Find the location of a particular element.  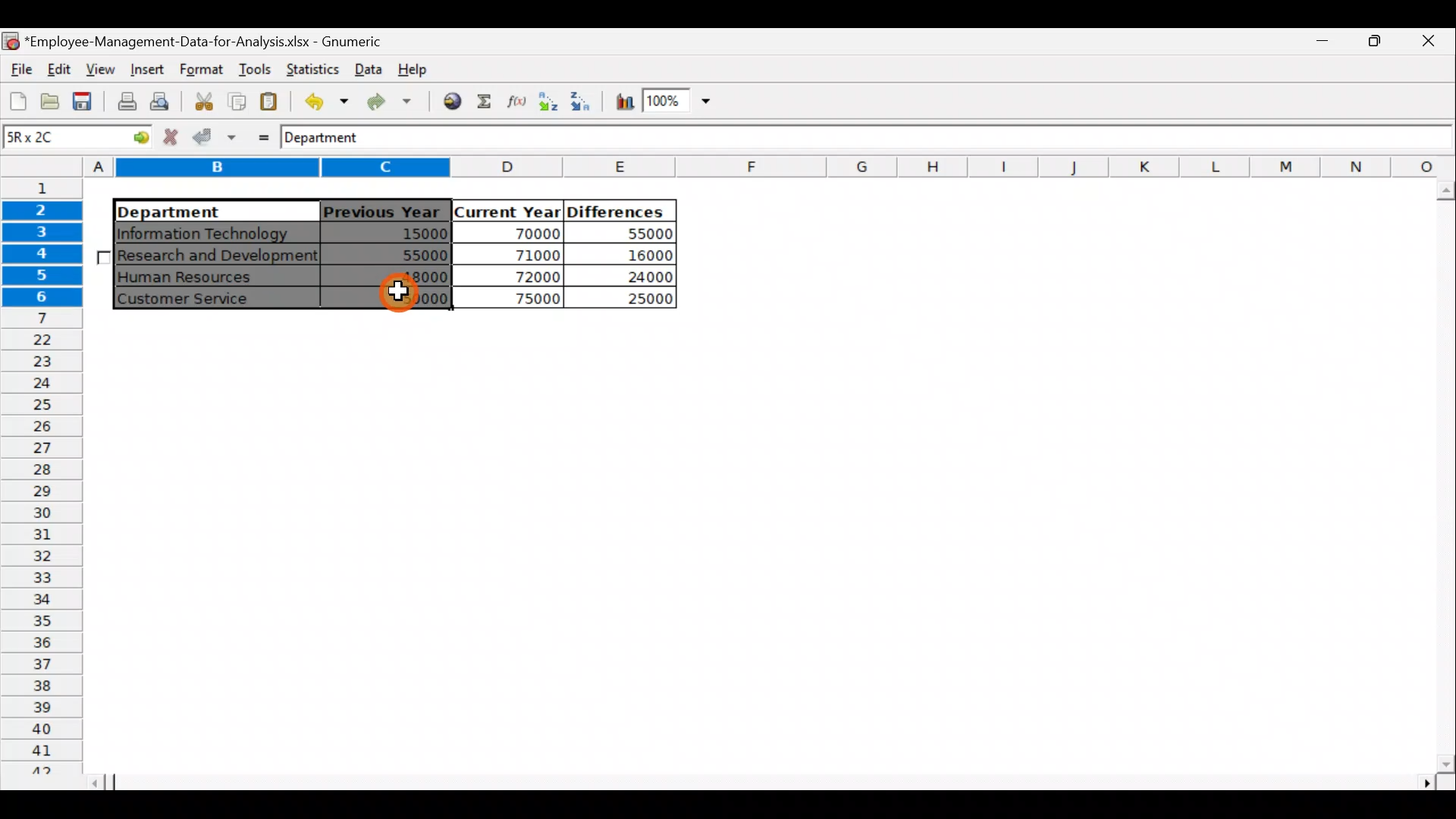

50000 is located at coordinates (397, 297).